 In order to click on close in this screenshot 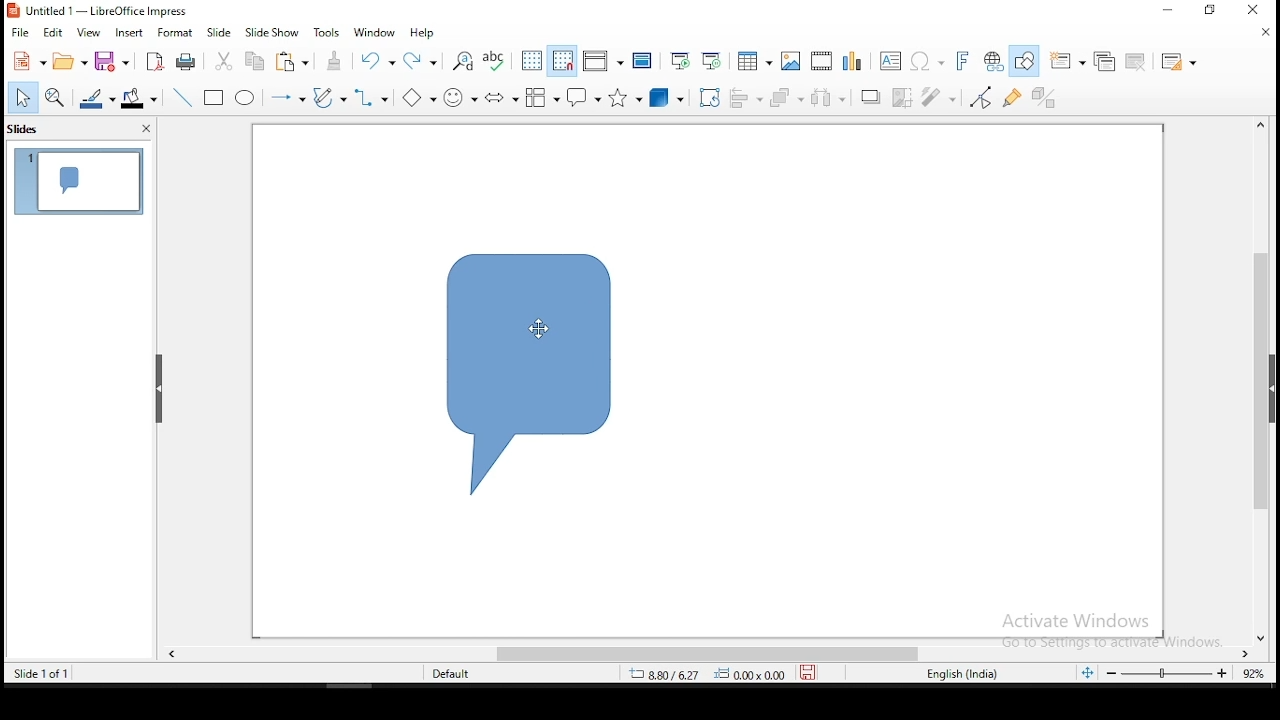, I will do `click(1268, 32)`.